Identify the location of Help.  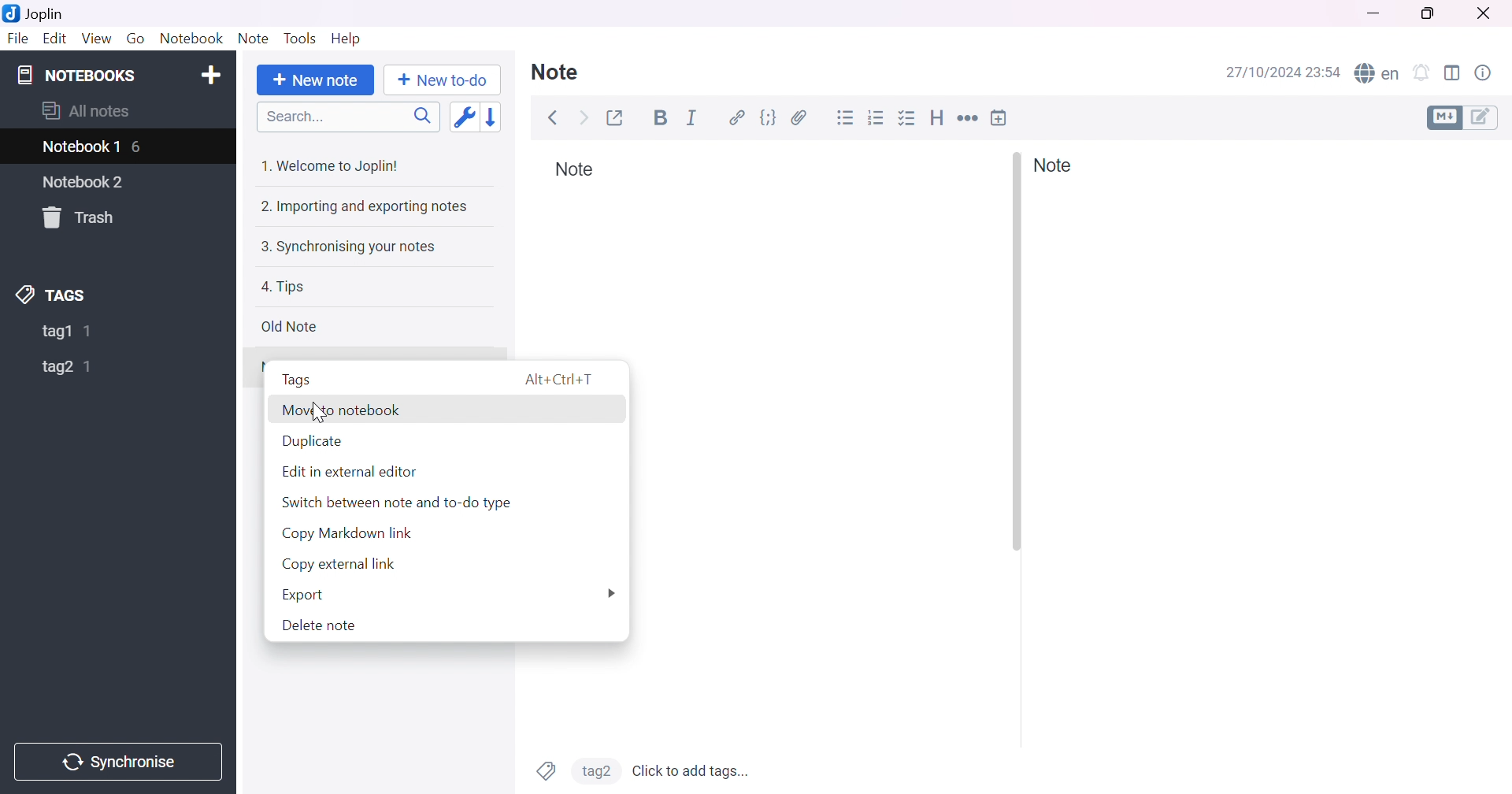
(346, 40).